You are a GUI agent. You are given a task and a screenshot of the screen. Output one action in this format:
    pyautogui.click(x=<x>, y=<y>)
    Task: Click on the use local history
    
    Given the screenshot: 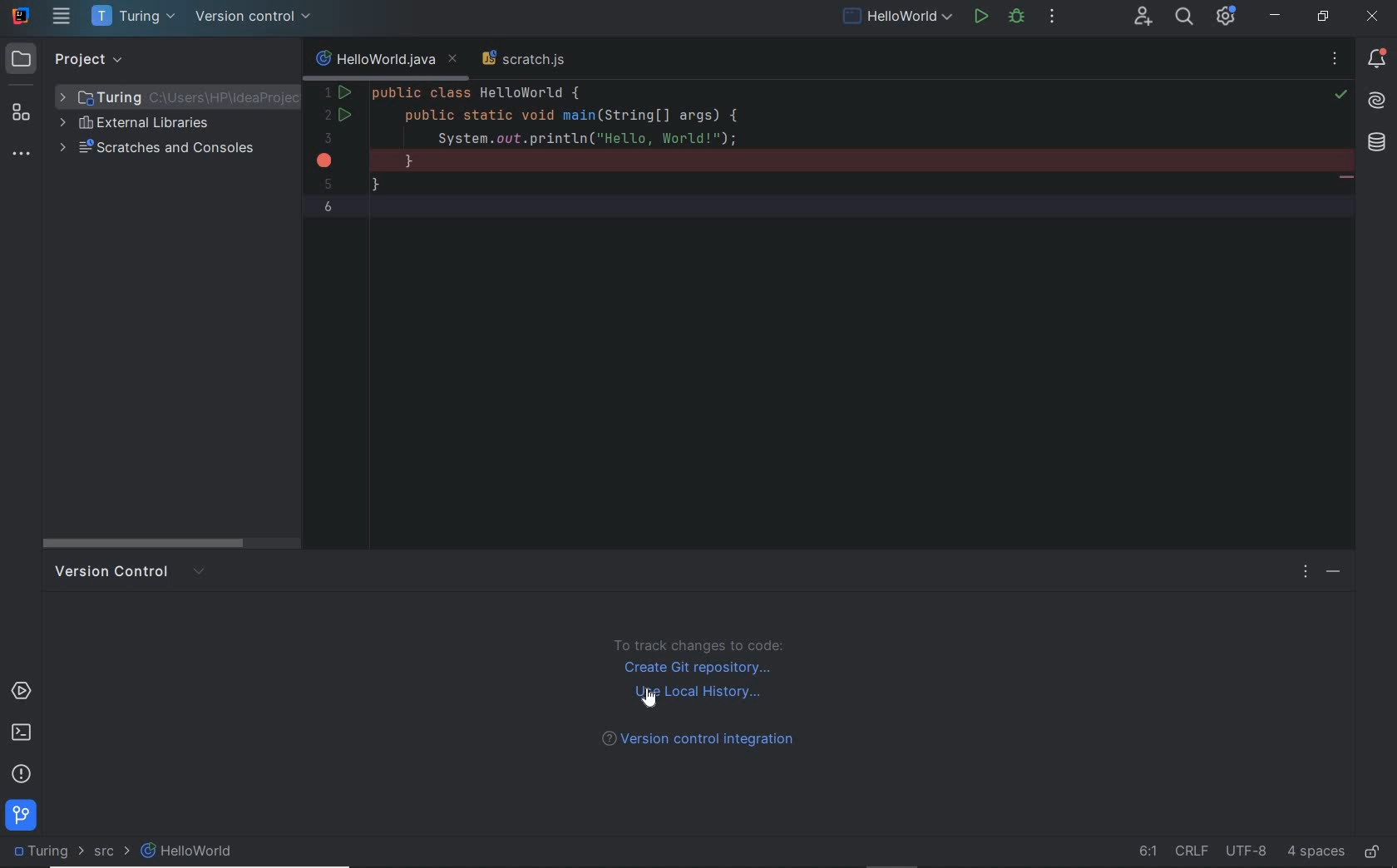 What is the action you would take?
    pyautogui.click(x=699, y=691)
    